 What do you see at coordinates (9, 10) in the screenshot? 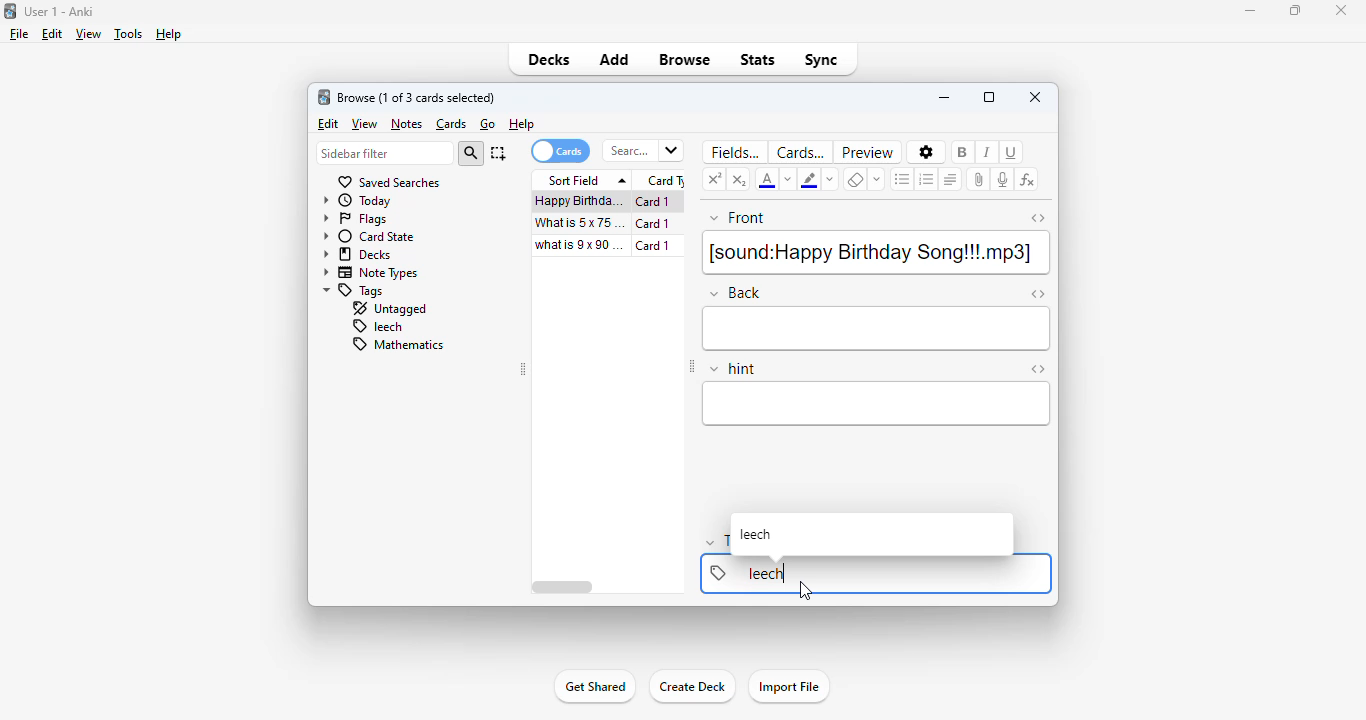
I see `logo` at bounding box center [9, 10].